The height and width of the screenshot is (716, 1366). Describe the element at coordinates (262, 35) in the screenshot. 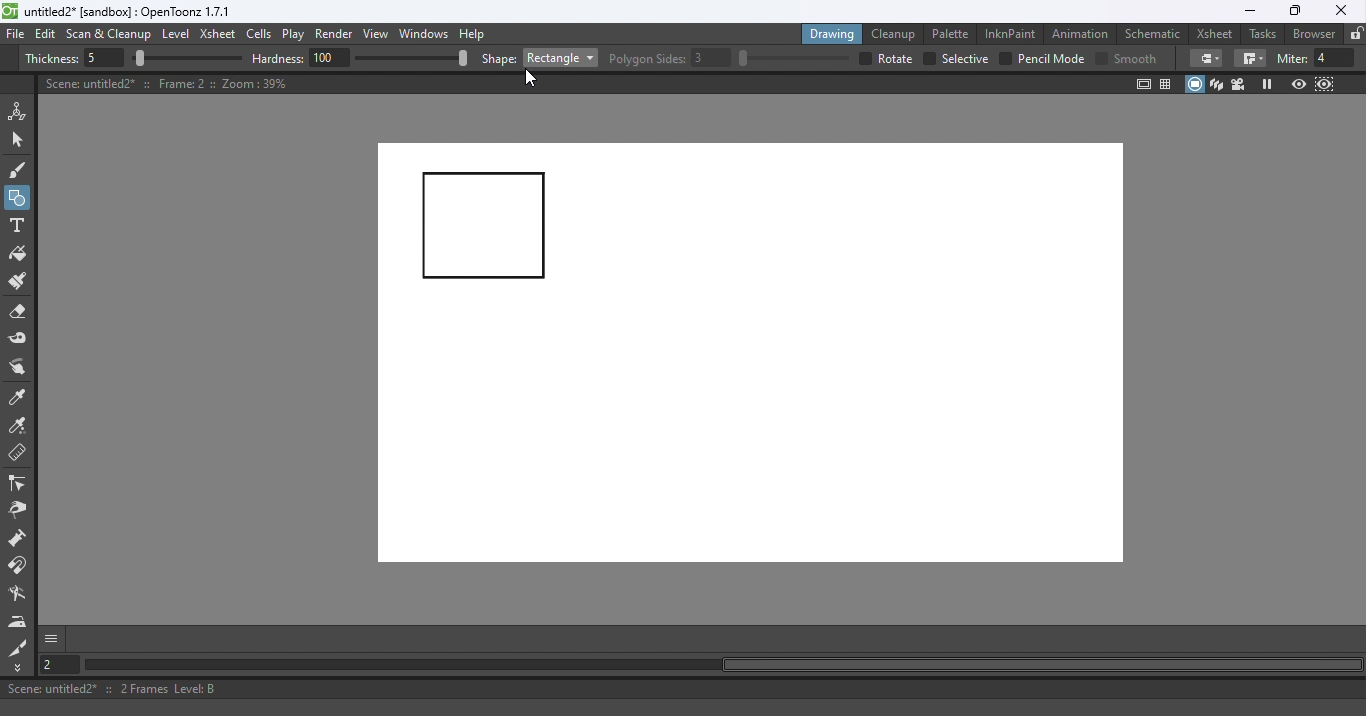

I see `Cells` at that location.